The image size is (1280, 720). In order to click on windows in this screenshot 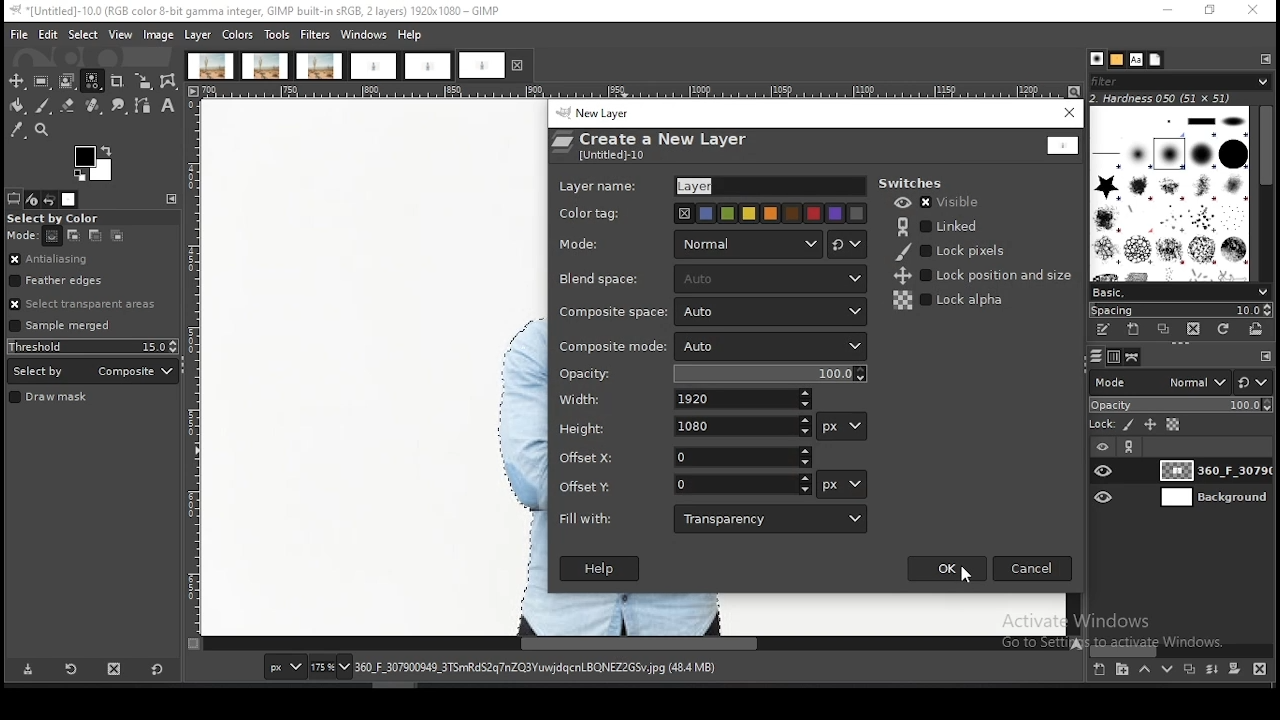, I will do `click(364, 35)`.